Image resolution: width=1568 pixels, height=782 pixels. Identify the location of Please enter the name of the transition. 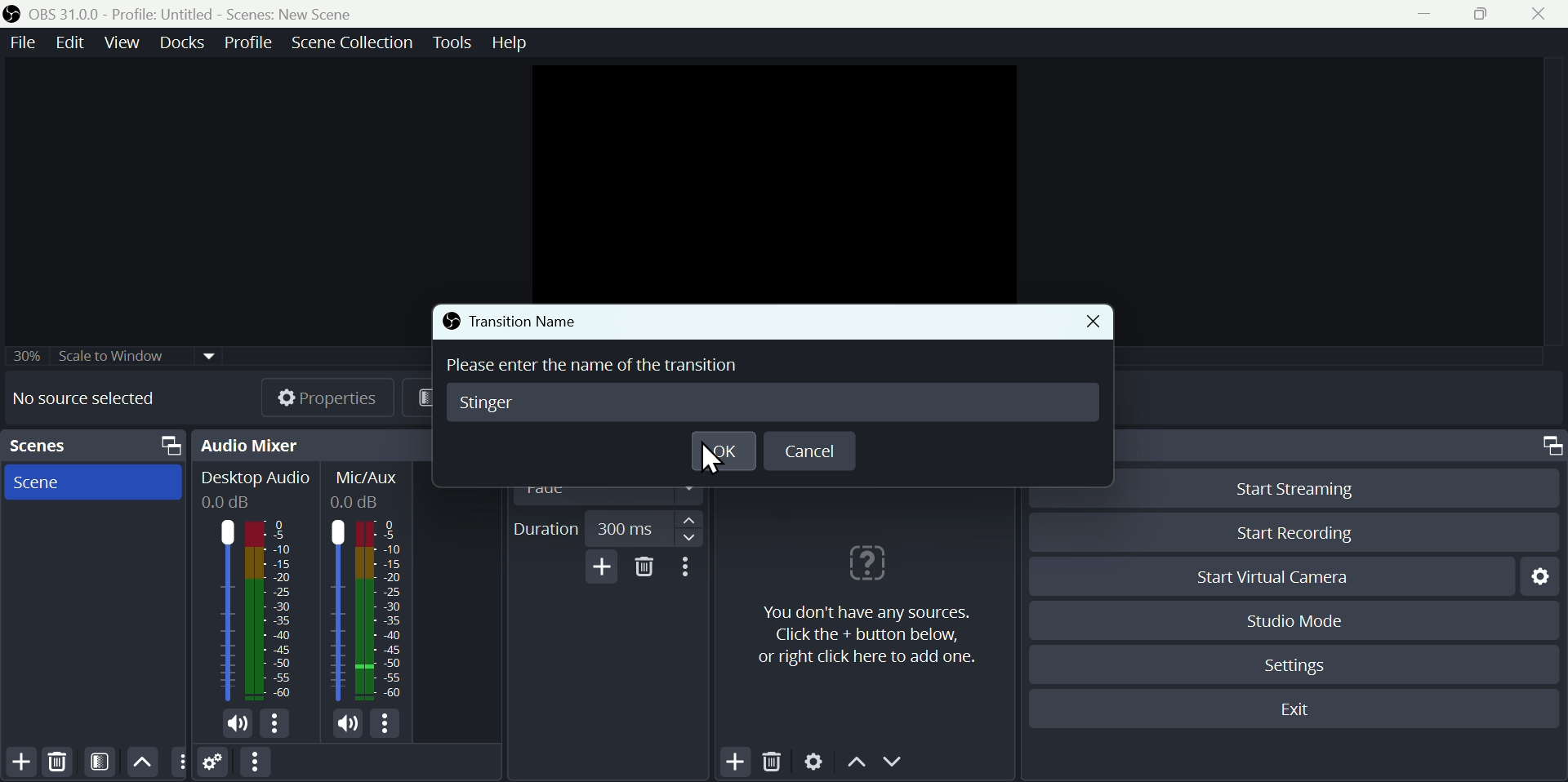
(605, 366).